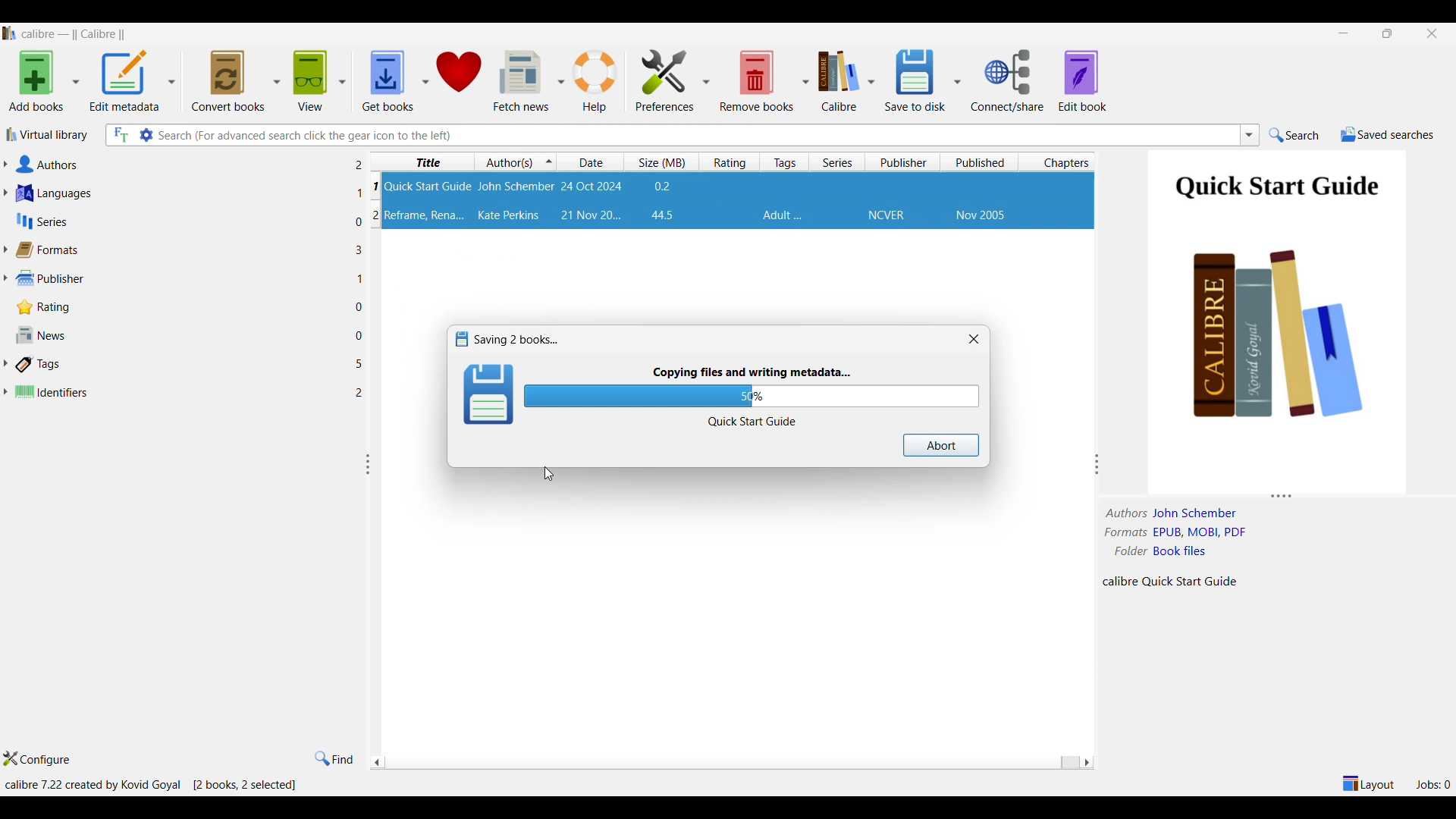  I want to click on 3, so click(359, 249).